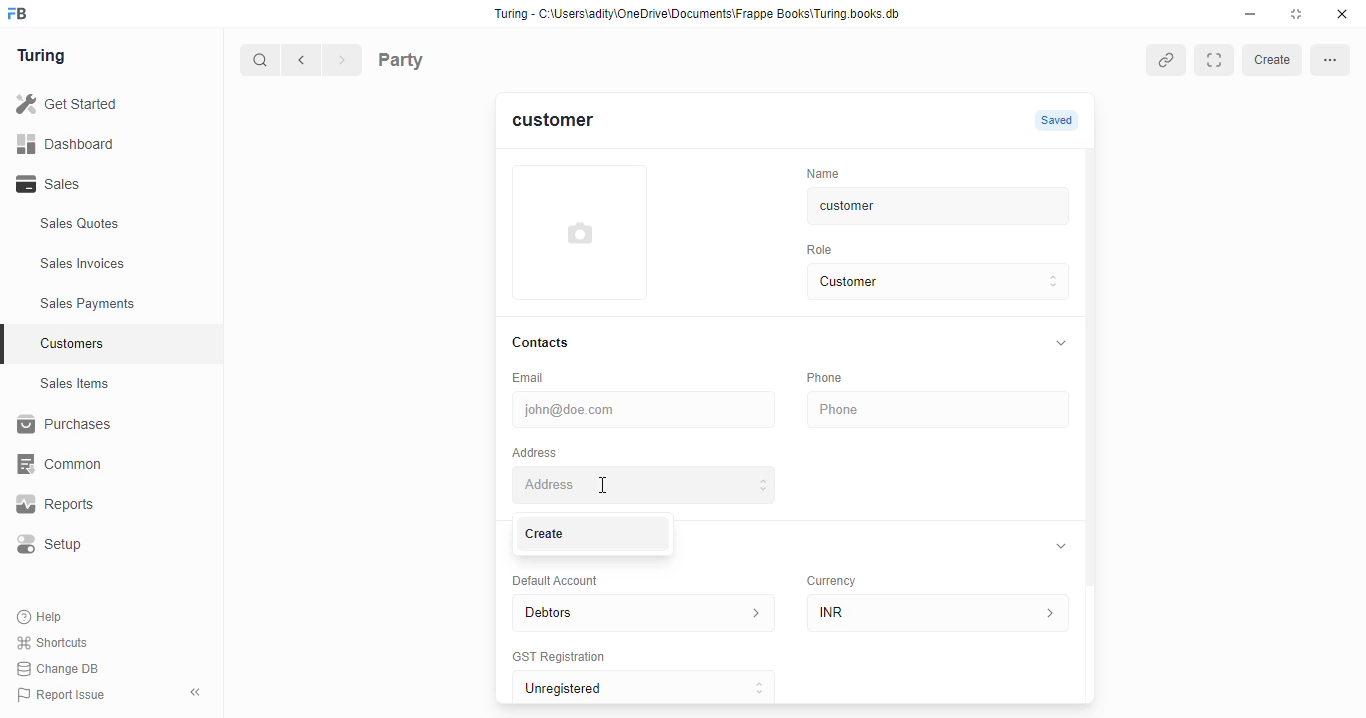 This screenshot has width=1366, height=718. I want to click on Saved, so click(1059, 121).